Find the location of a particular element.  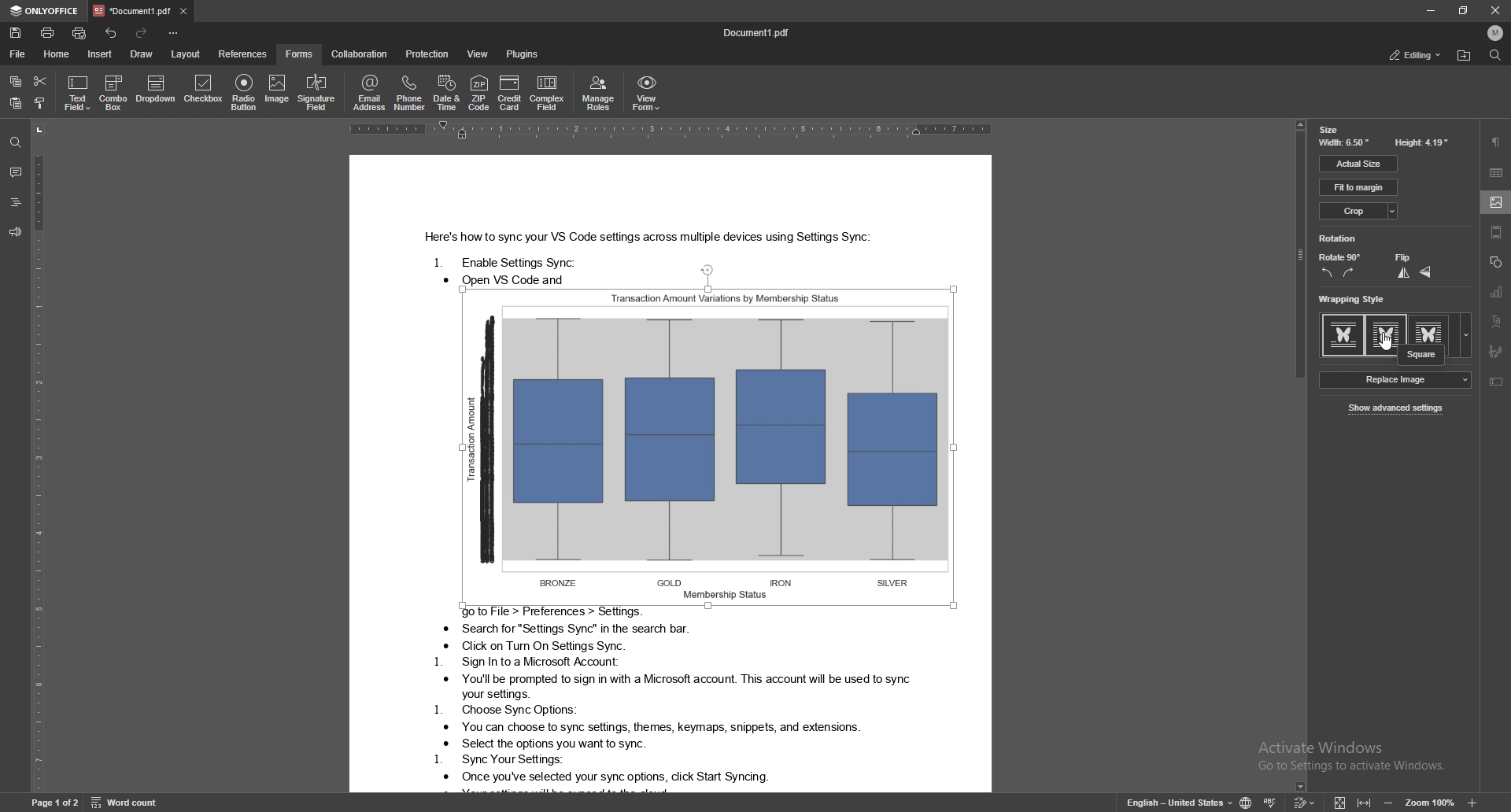

spell check is located at coordinates (1269, 803).